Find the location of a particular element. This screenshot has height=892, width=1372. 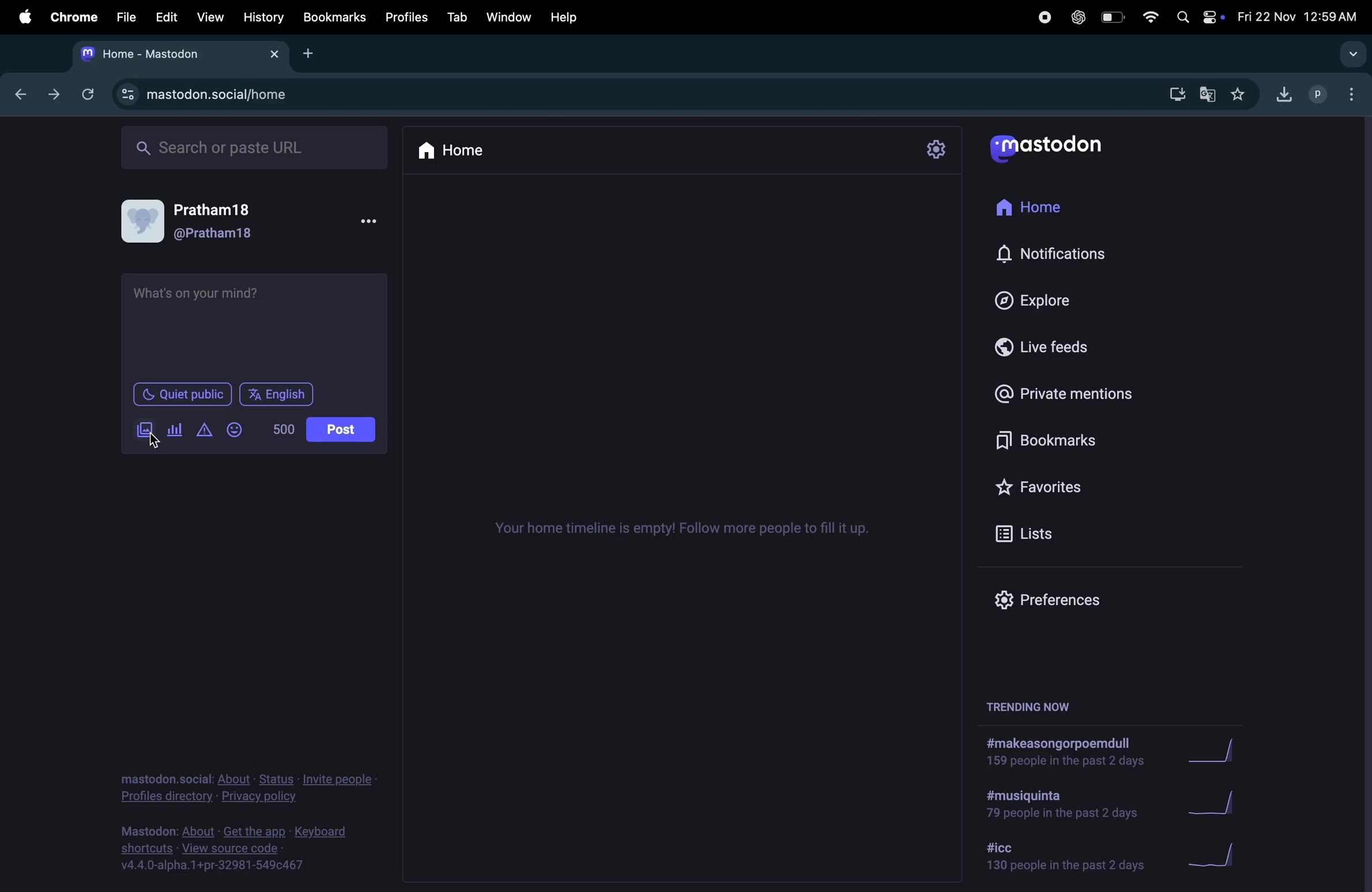

trending now is located at coordinates (1028, 709).